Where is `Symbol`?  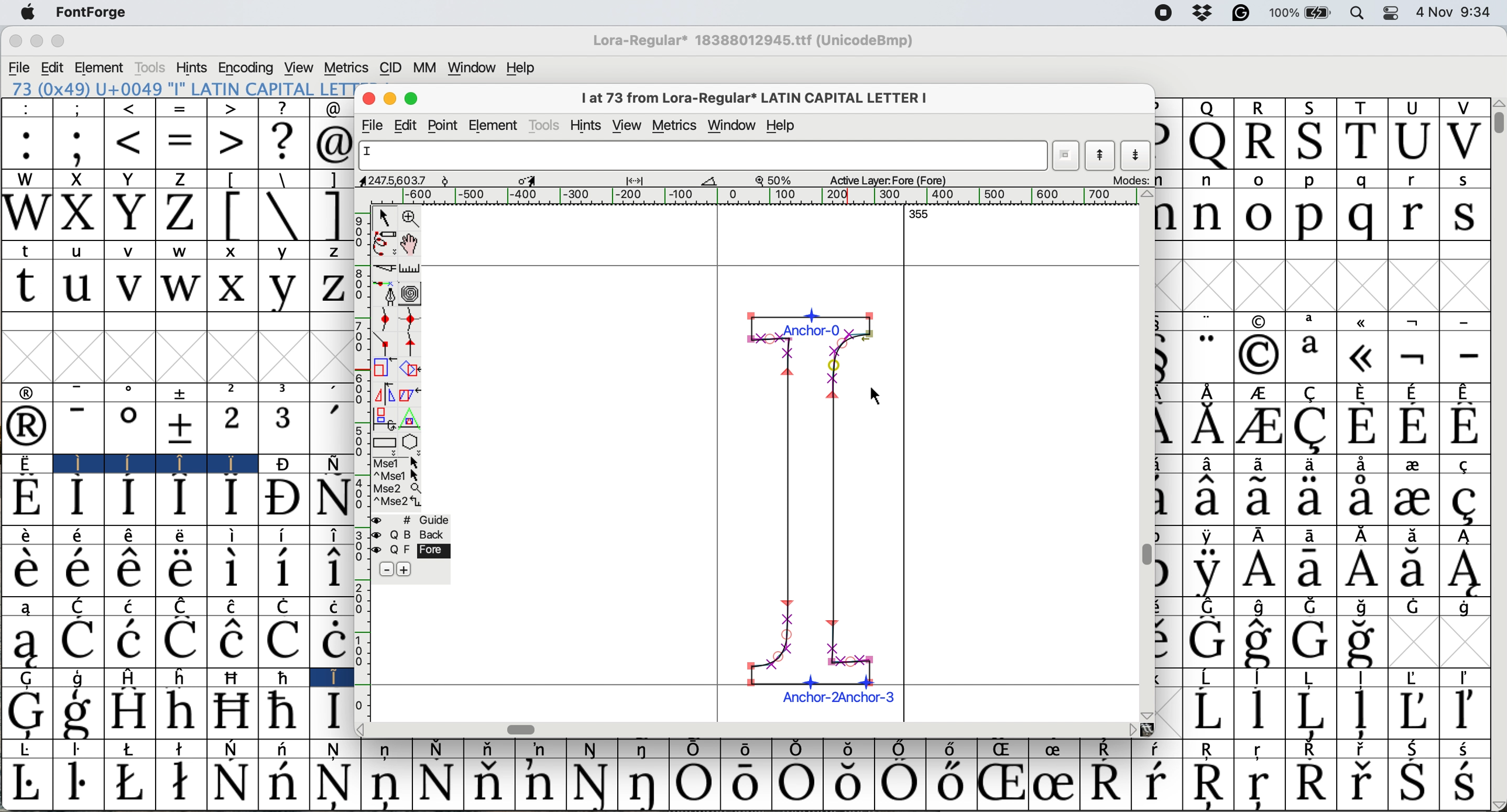 Symbol is located at coordinates (1108, 782).